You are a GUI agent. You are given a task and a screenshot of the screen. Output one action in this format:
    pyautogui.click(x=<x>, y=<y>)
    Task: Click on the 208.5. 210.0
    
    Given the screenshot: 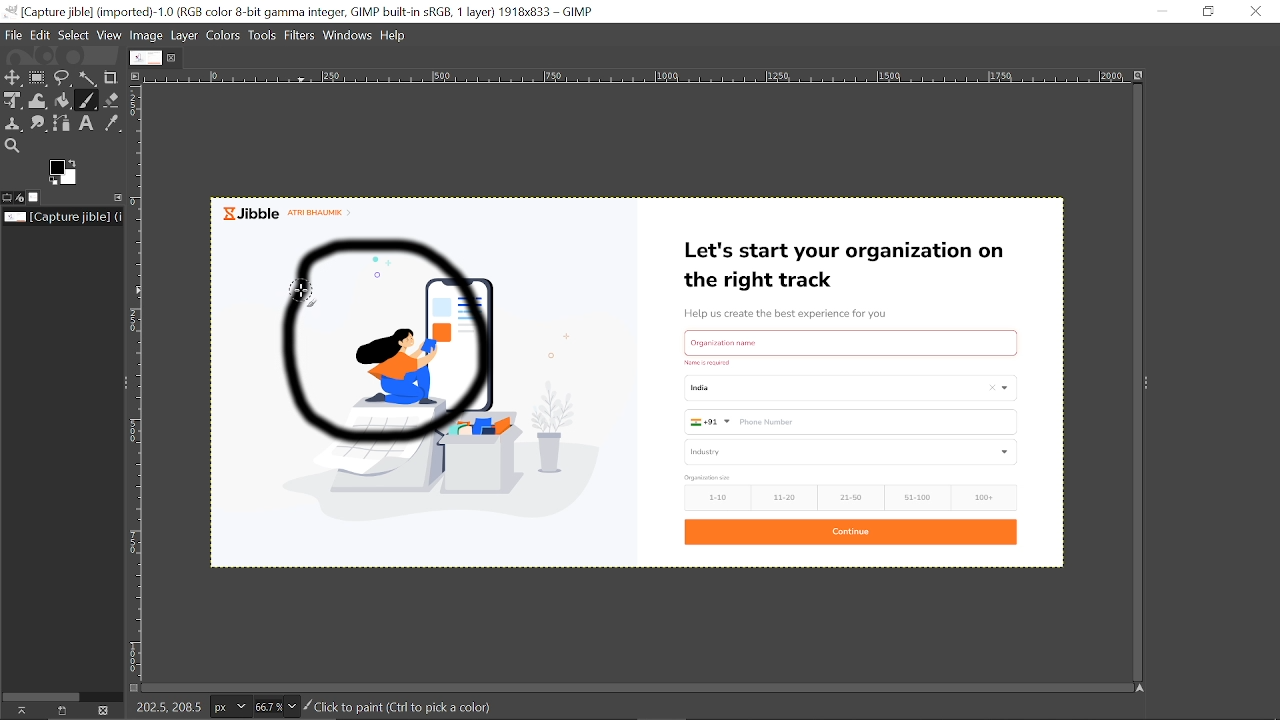 What is the action you would take?
    pyautogui.click(x=168, y=704)
    